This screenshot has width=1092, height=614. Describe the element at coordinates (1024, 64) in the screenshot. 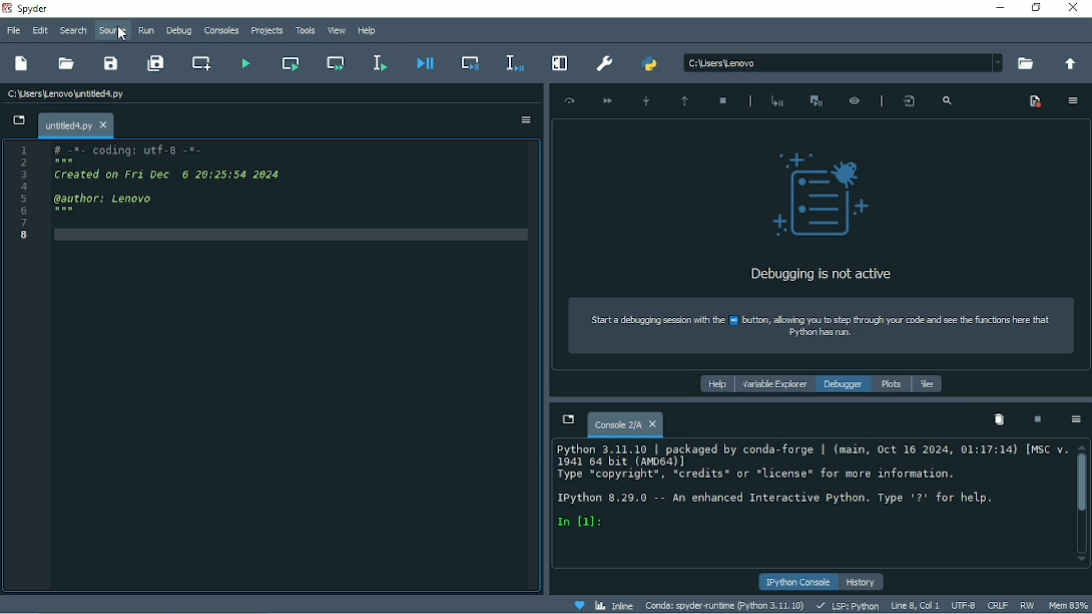

I see `Browse a working directory` at that location.